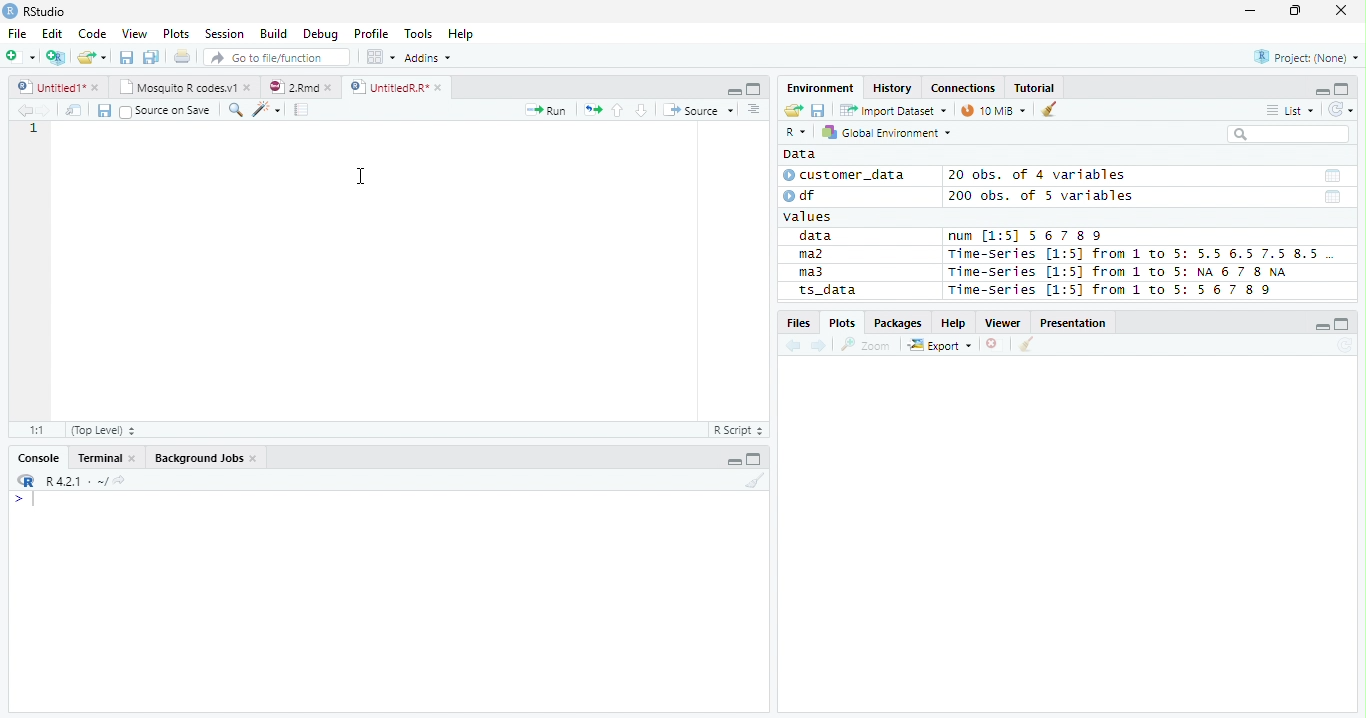 This screenshot has height=718, width=1366. Describe the element at coordinates (223, 33) in the screenshot. I see `Session` at that location.